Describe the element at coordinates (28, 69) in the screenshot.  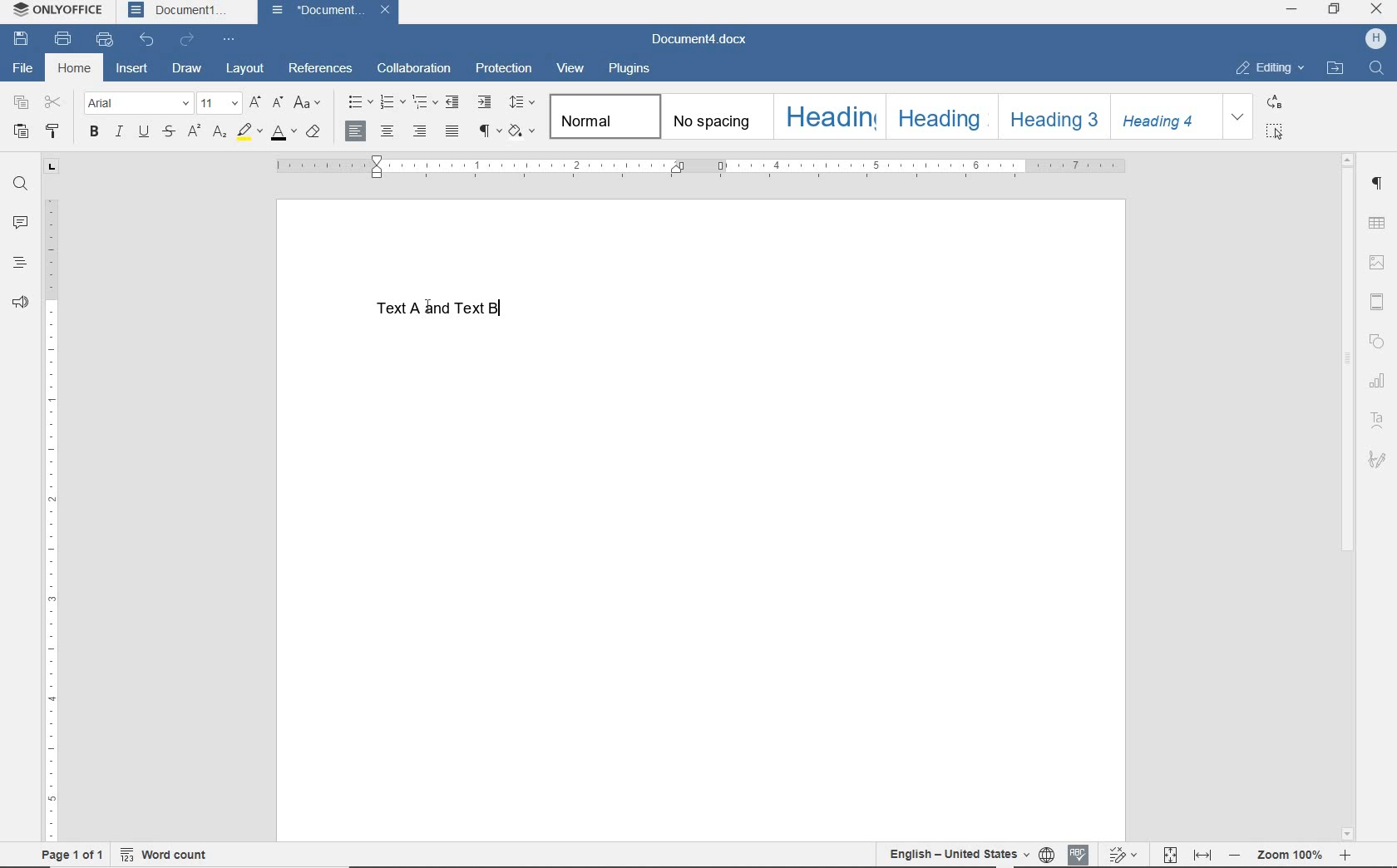
I see `FILE` at that location.